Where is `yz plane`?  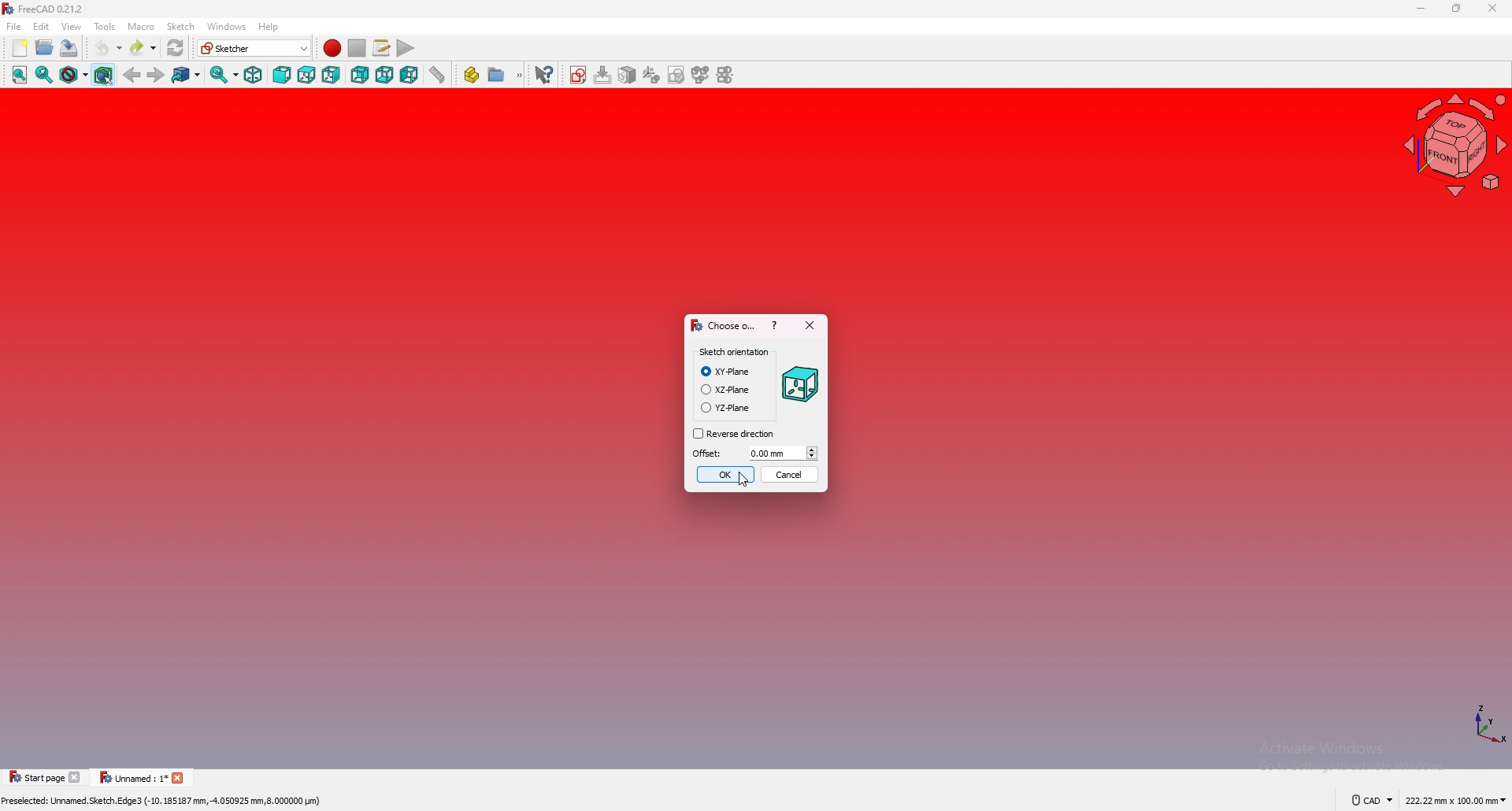
yz plane is located at coordinates (725, 407).